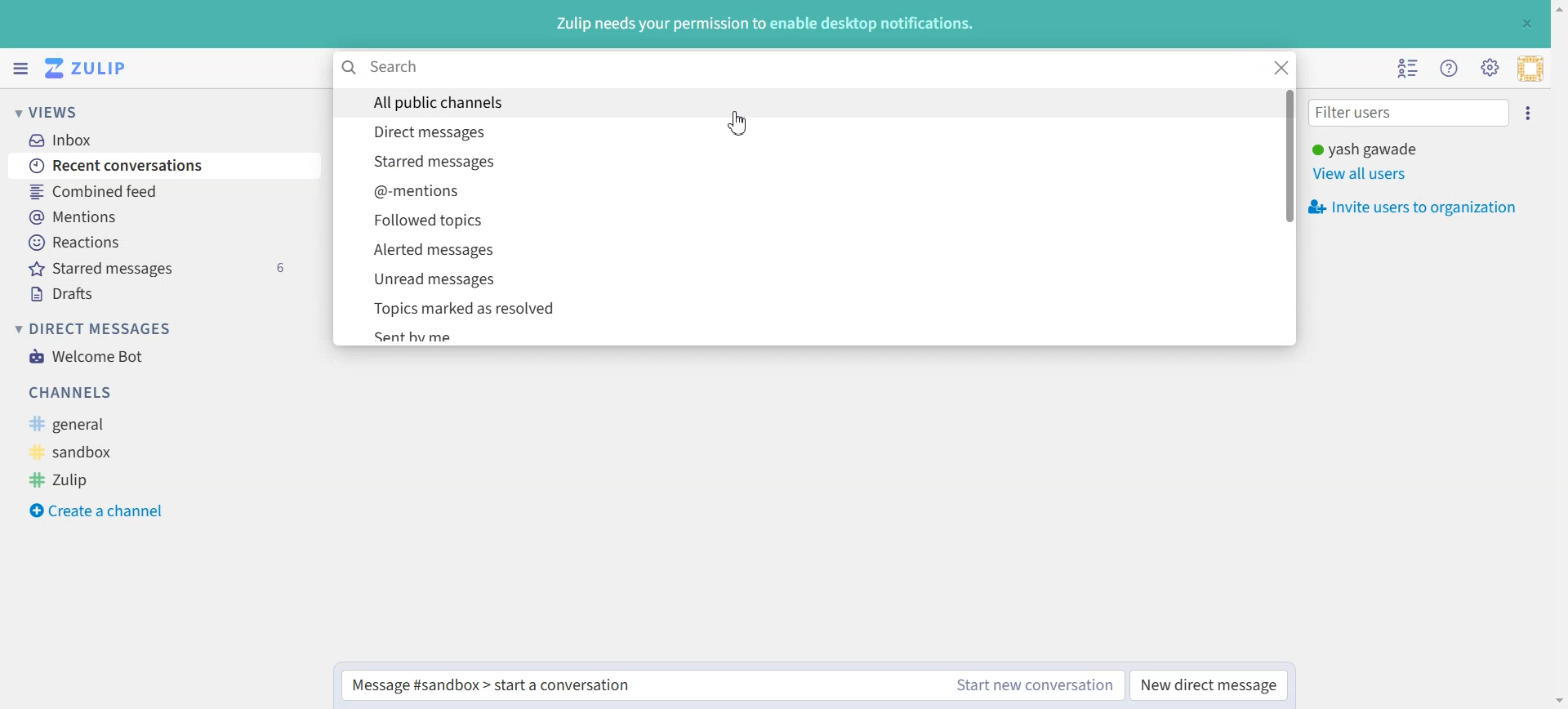 This screenshot has width=1568, height=709. Describe the element at coordinates (1490, 68) in the screenshot. I see `Settings` at that location.